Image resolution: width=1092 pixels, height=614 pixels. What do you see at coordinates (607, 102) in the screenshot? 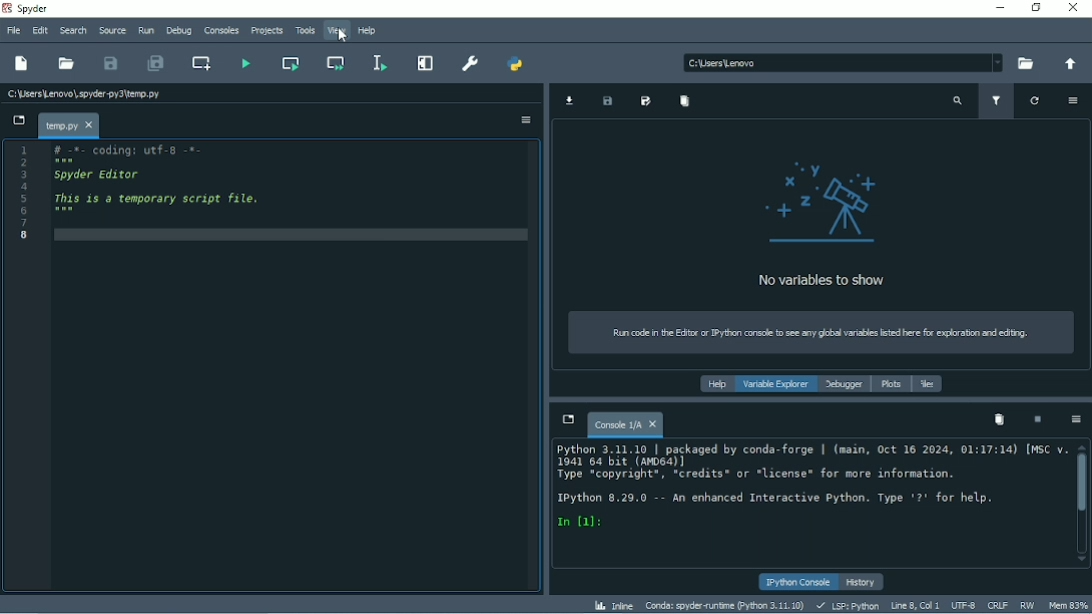
I see `Save data` at bounding box center [607, 102].